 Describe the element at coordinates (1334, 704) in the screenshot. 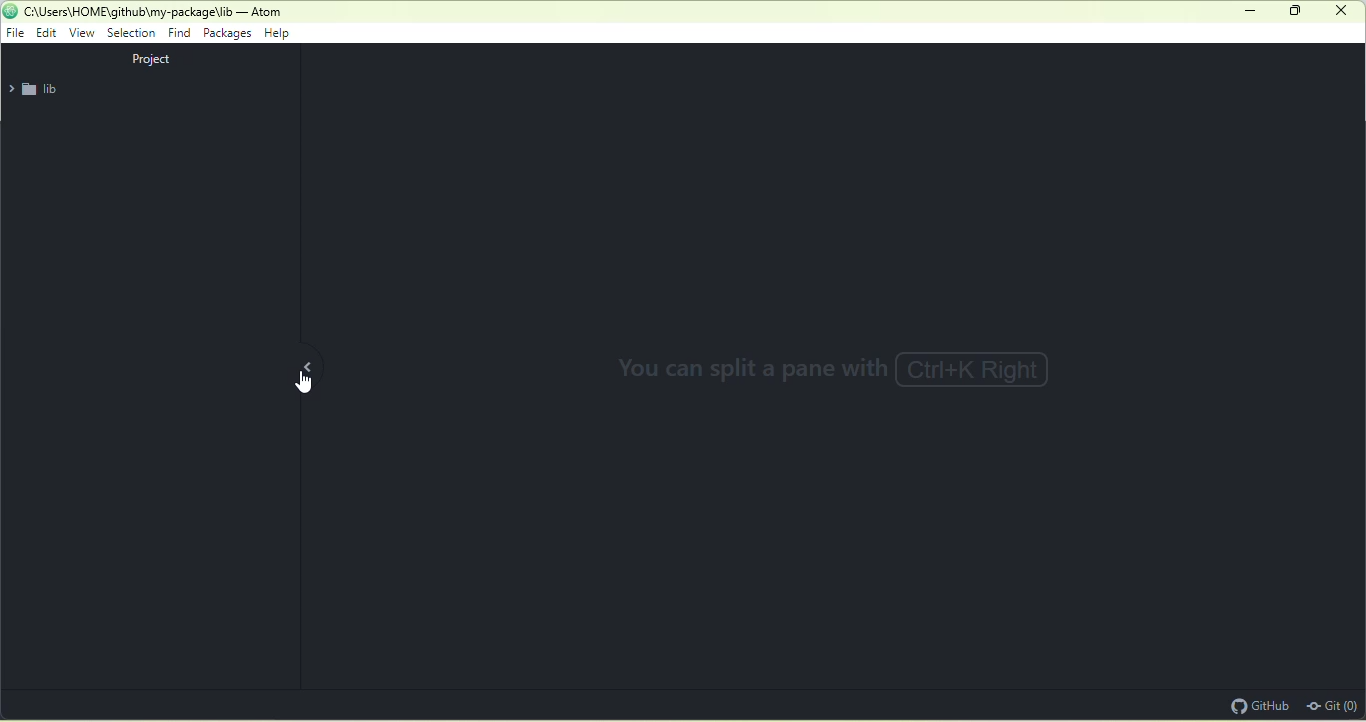

I see `git` at that location.